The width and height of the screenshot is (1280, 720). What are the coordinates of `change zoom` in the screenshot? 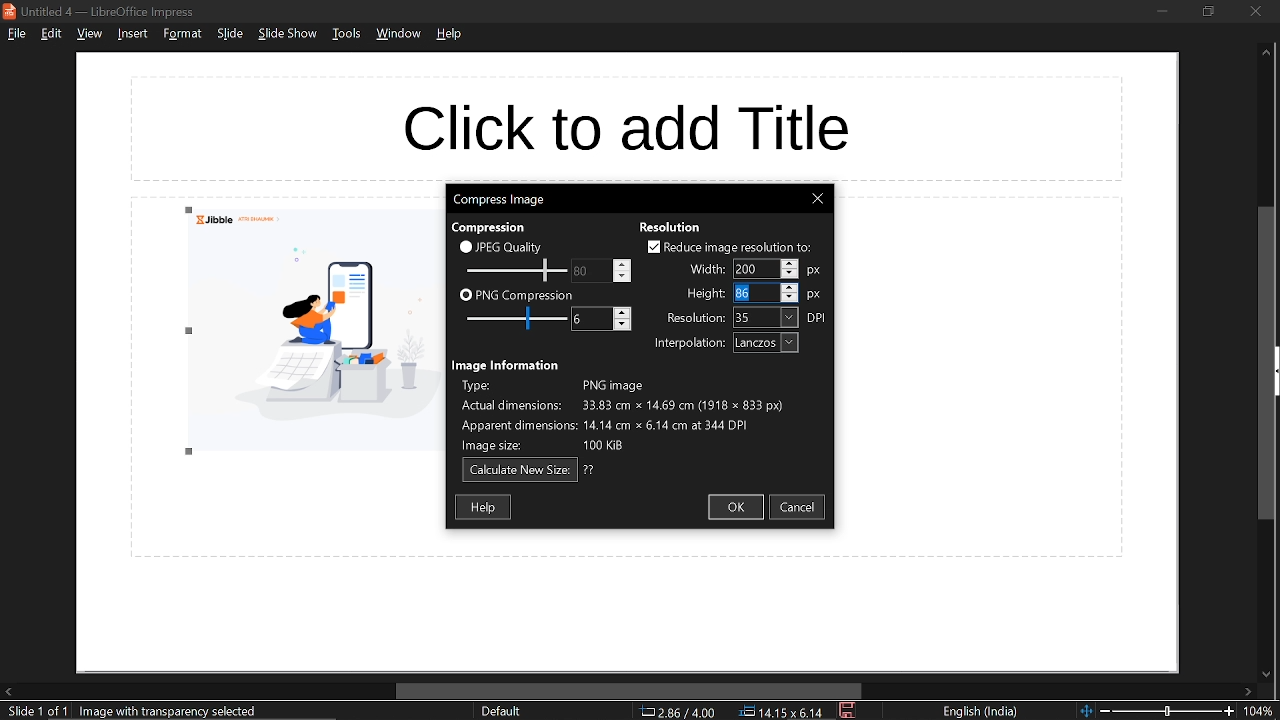 It's located at (1157, 711).